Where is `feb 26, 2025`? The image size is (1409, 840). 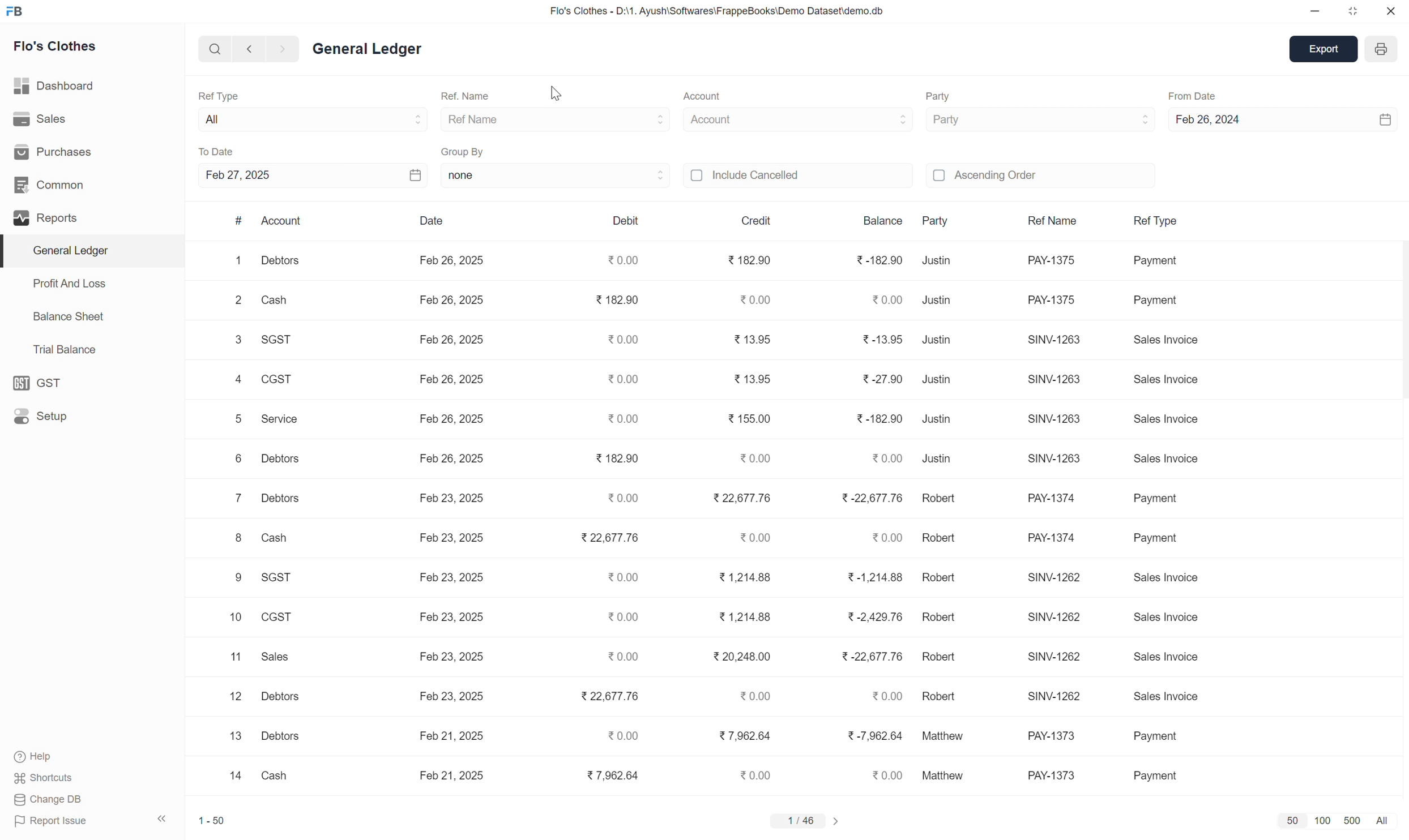
feb 26, 2025 is located at coordinates (451, 618).